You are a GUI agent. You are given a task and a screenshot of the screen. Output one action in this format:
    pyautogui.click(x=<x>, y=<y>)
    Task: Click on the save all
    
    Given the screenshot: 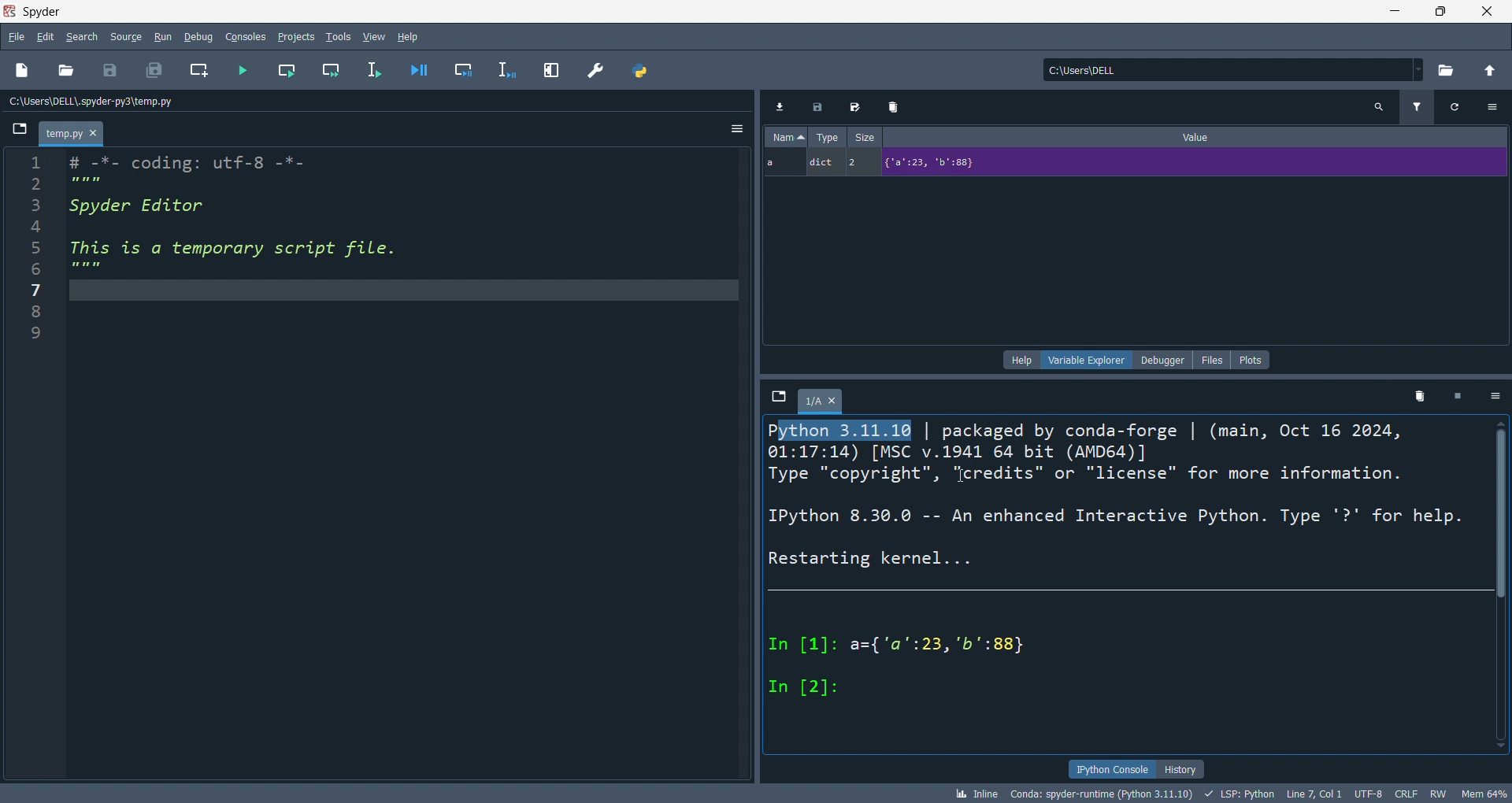 What is the action you would take?
    pyautogui.click(x=154, y=68)
    